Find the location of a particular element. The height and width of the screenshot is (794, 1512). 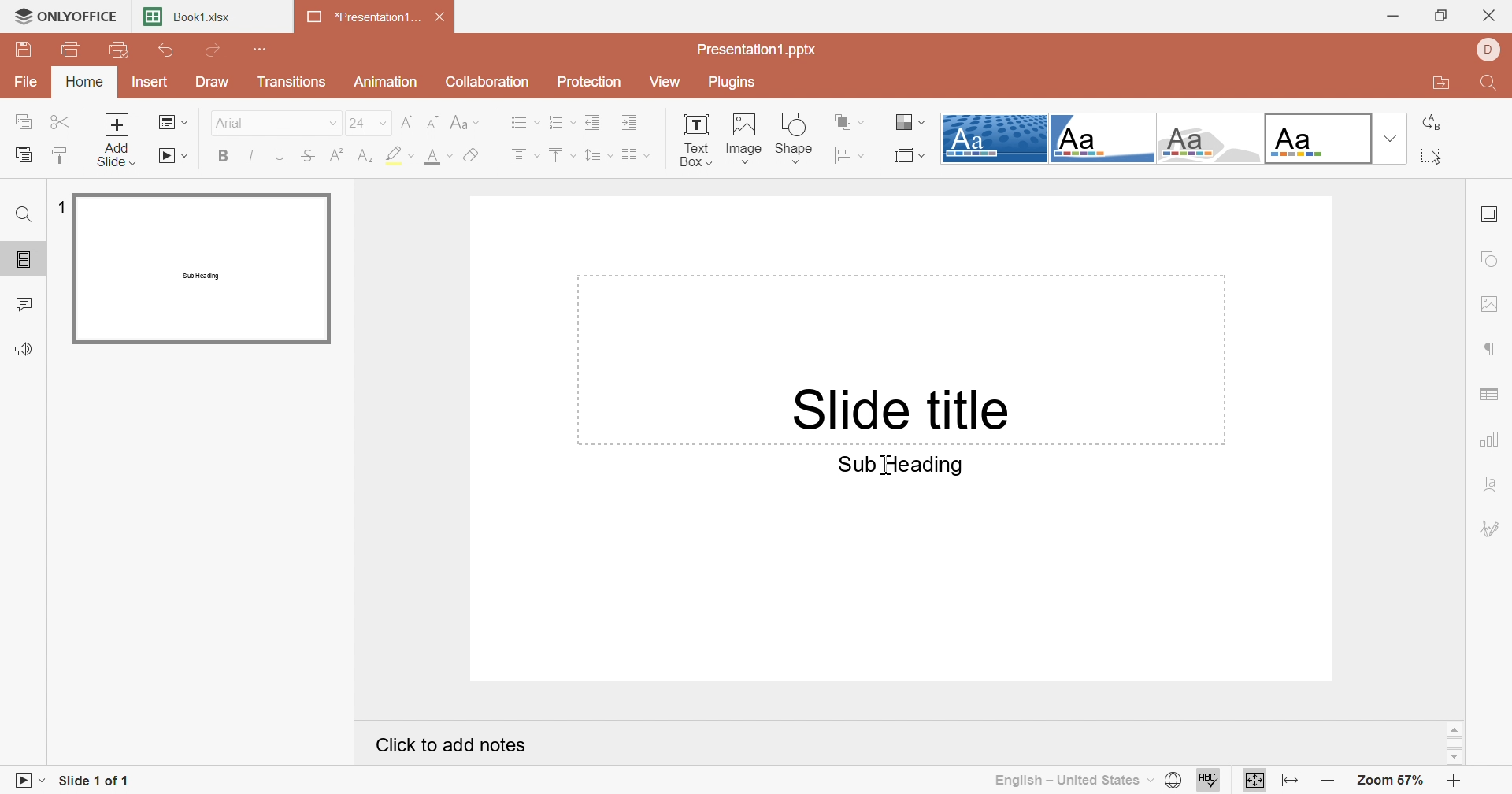

Copy Style is located at coordinates (61, 154).